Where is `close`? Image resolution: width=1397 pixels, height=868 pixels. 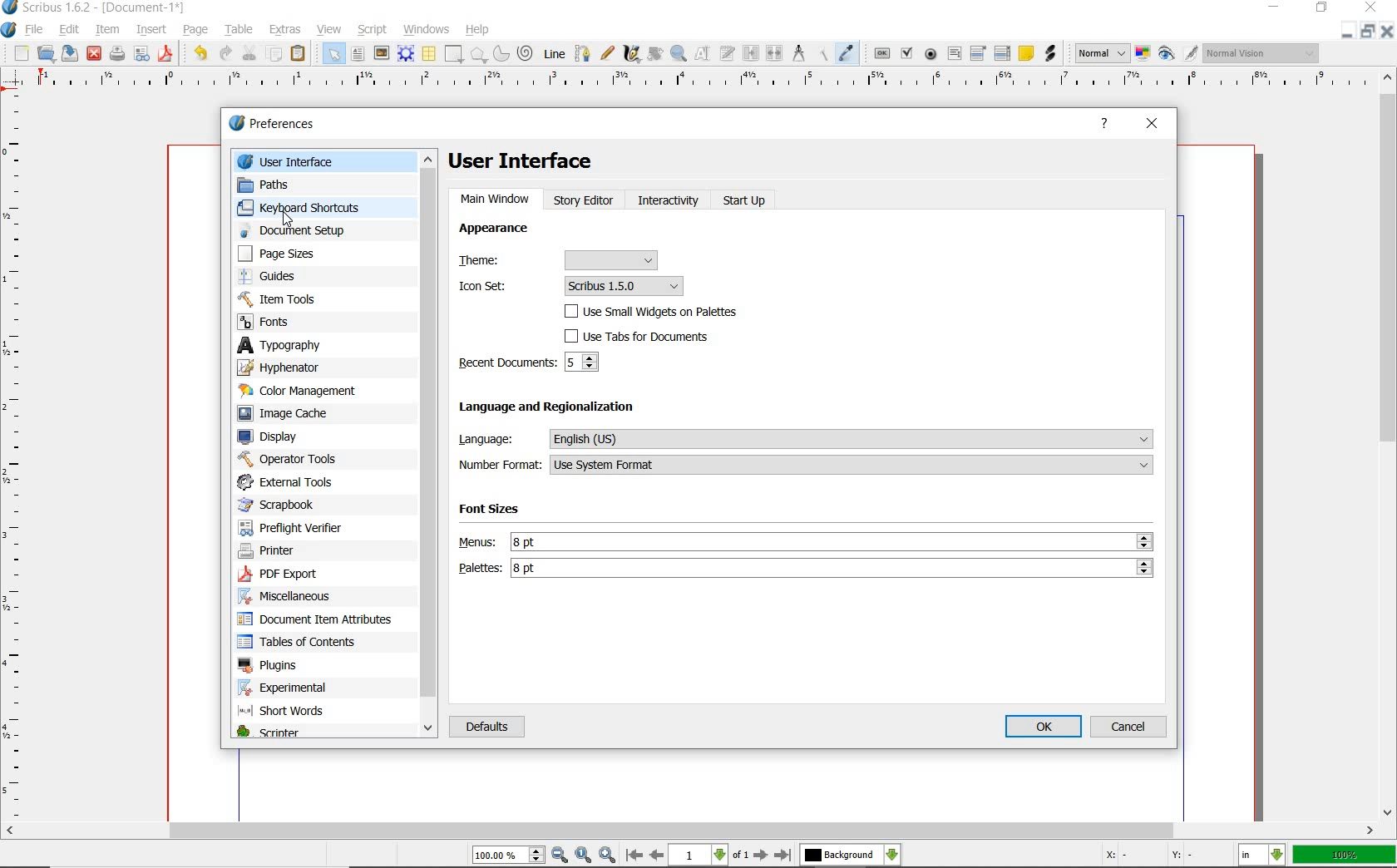
close is located at coordinates (94, 52).